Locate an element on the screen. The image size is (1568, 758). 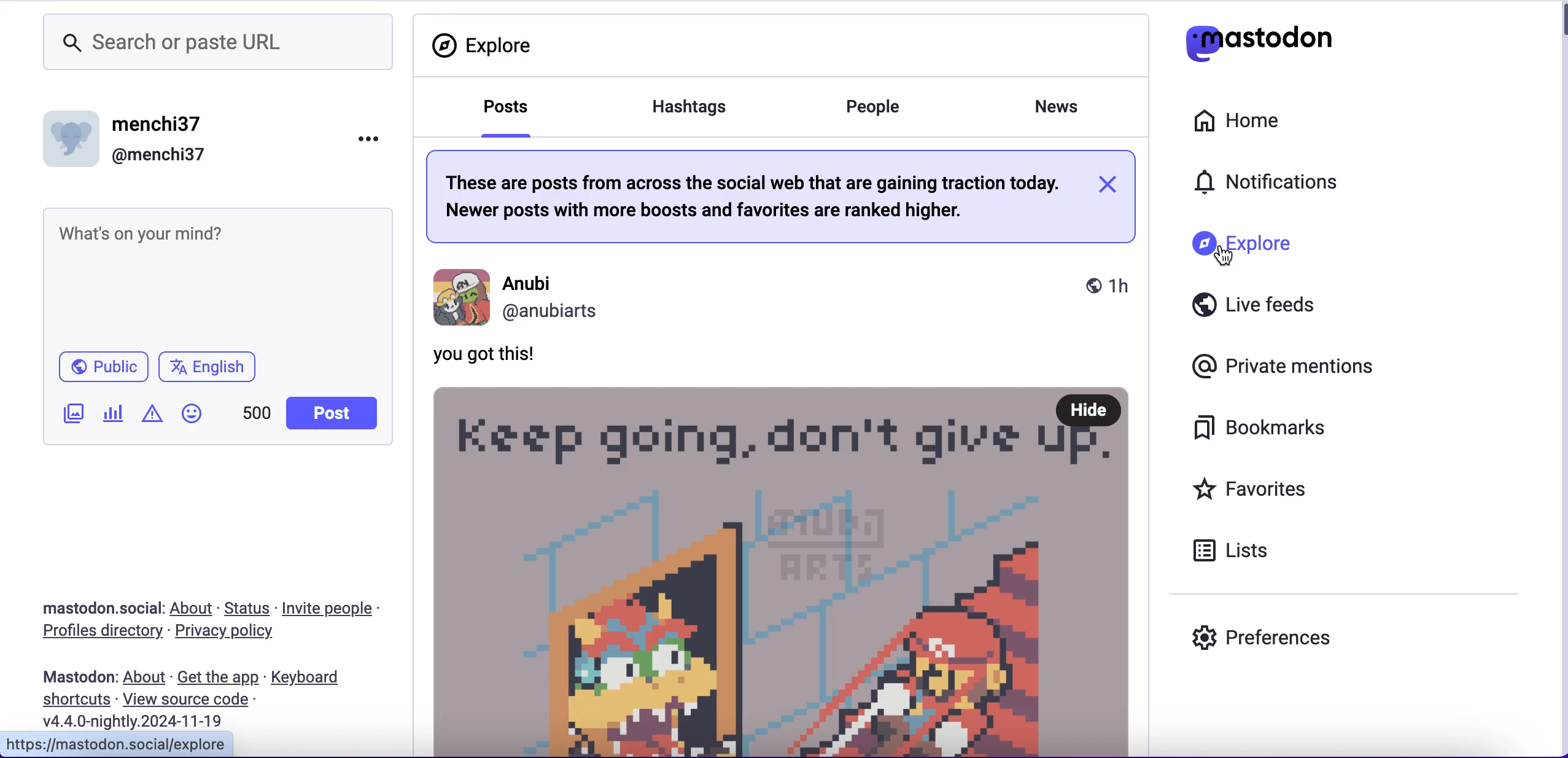
add poll is located at coordinates (113, 416).